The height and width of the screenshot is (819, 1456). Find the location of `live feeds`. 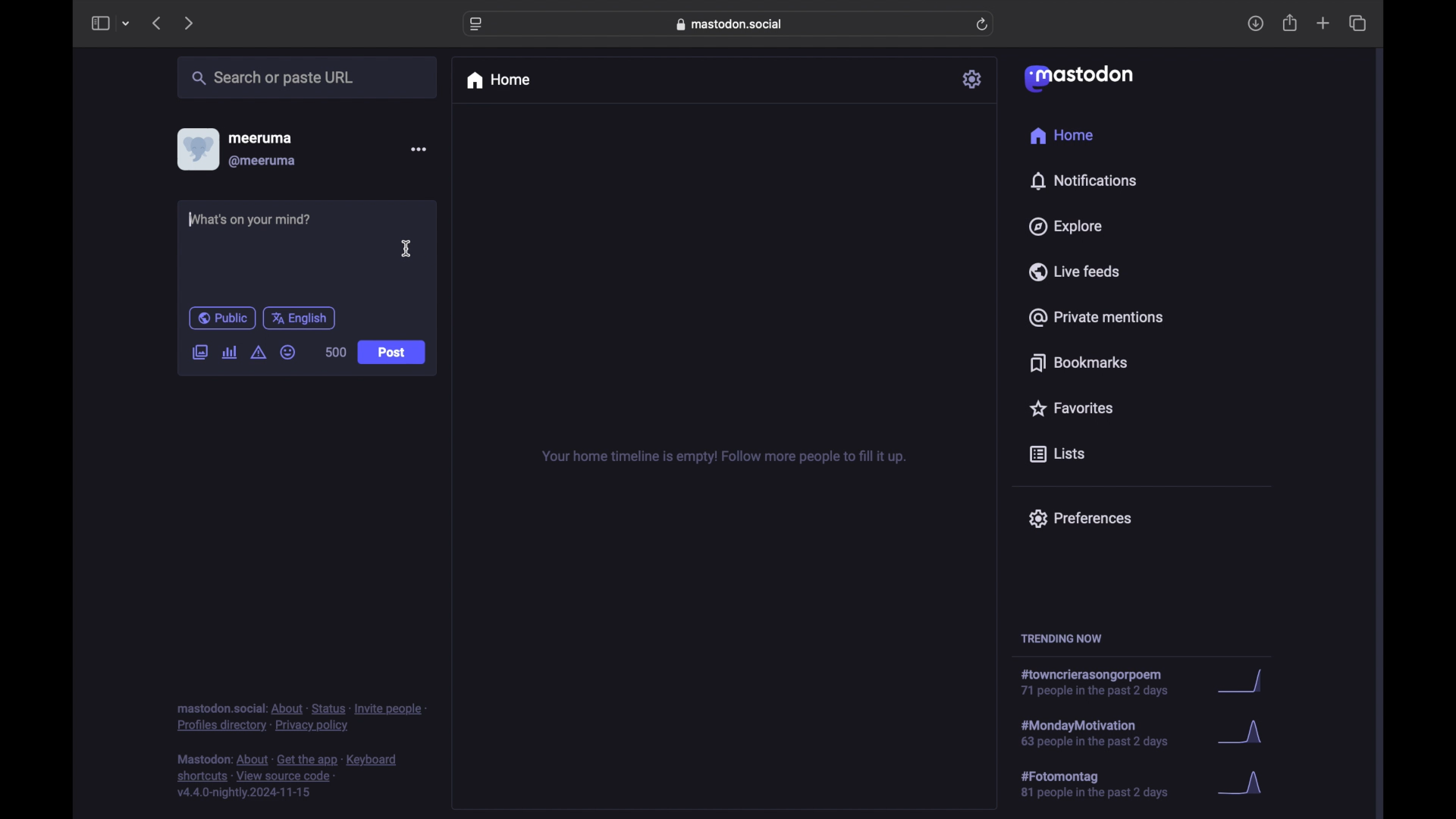

live feeds is located at coordinates (1073, 271).